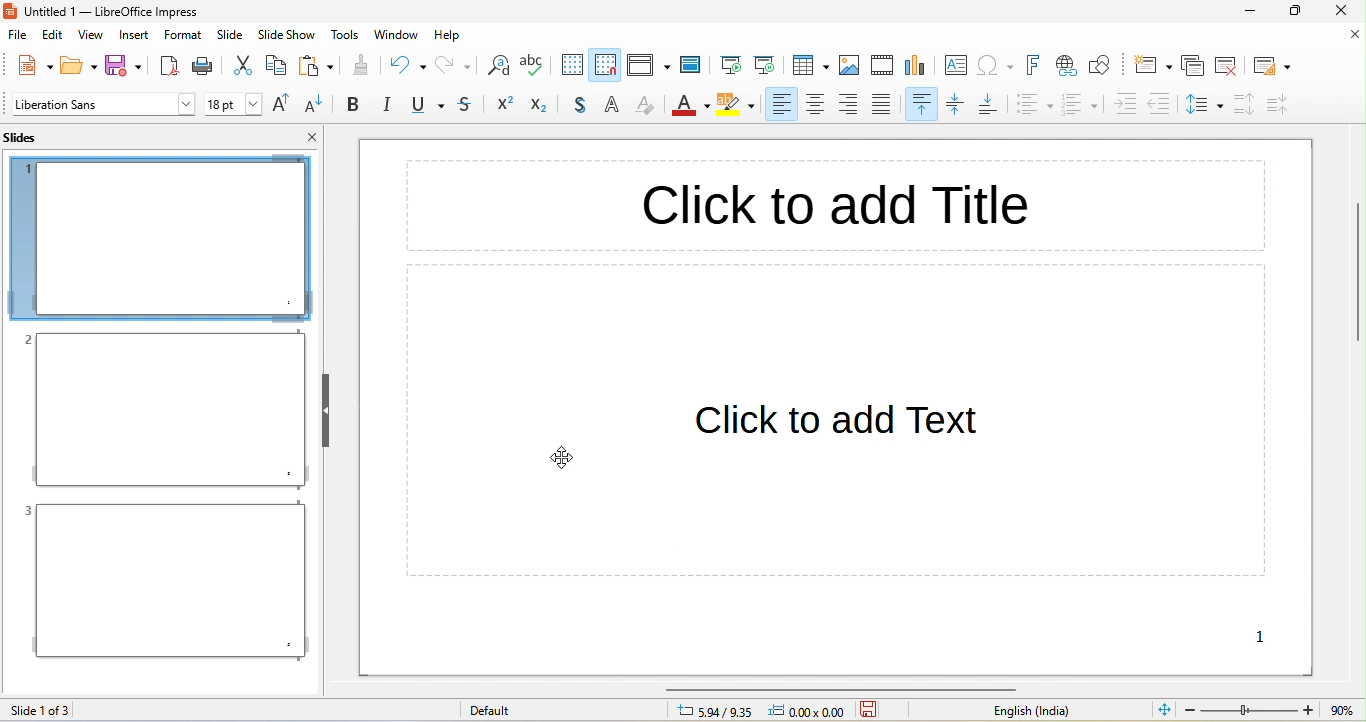 The height and width of the screenshot is (722, 1366). What do you see at coordinates (1125, 105) in the screenshot?
I see `increase indent` at bounding box center [1125, 105].